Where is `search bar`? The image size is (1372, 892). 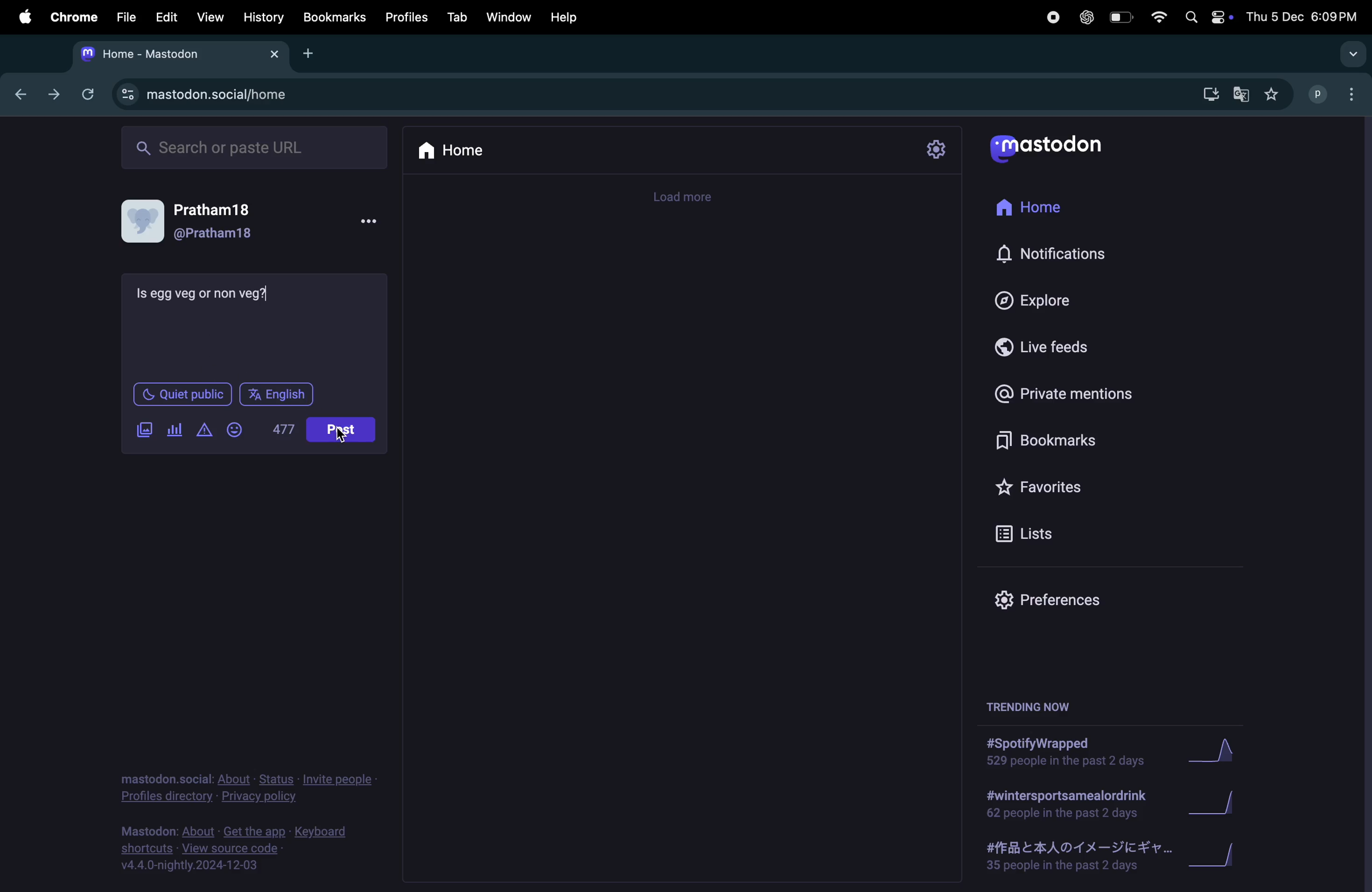
search bar is located at coordinates (252, 146).